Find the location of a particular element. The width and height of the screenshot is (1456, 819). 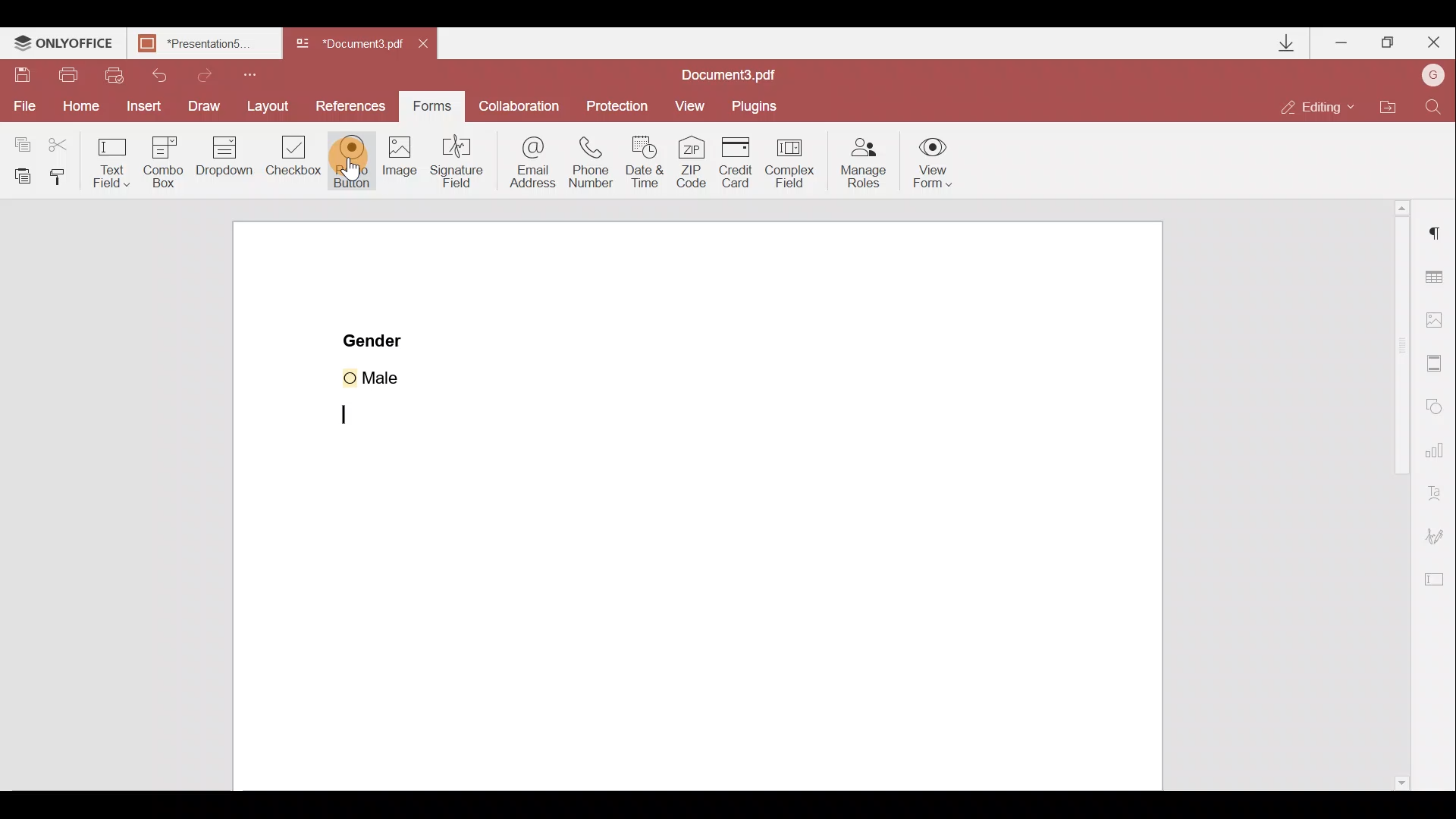

Male is located at coordinates (392, 375).